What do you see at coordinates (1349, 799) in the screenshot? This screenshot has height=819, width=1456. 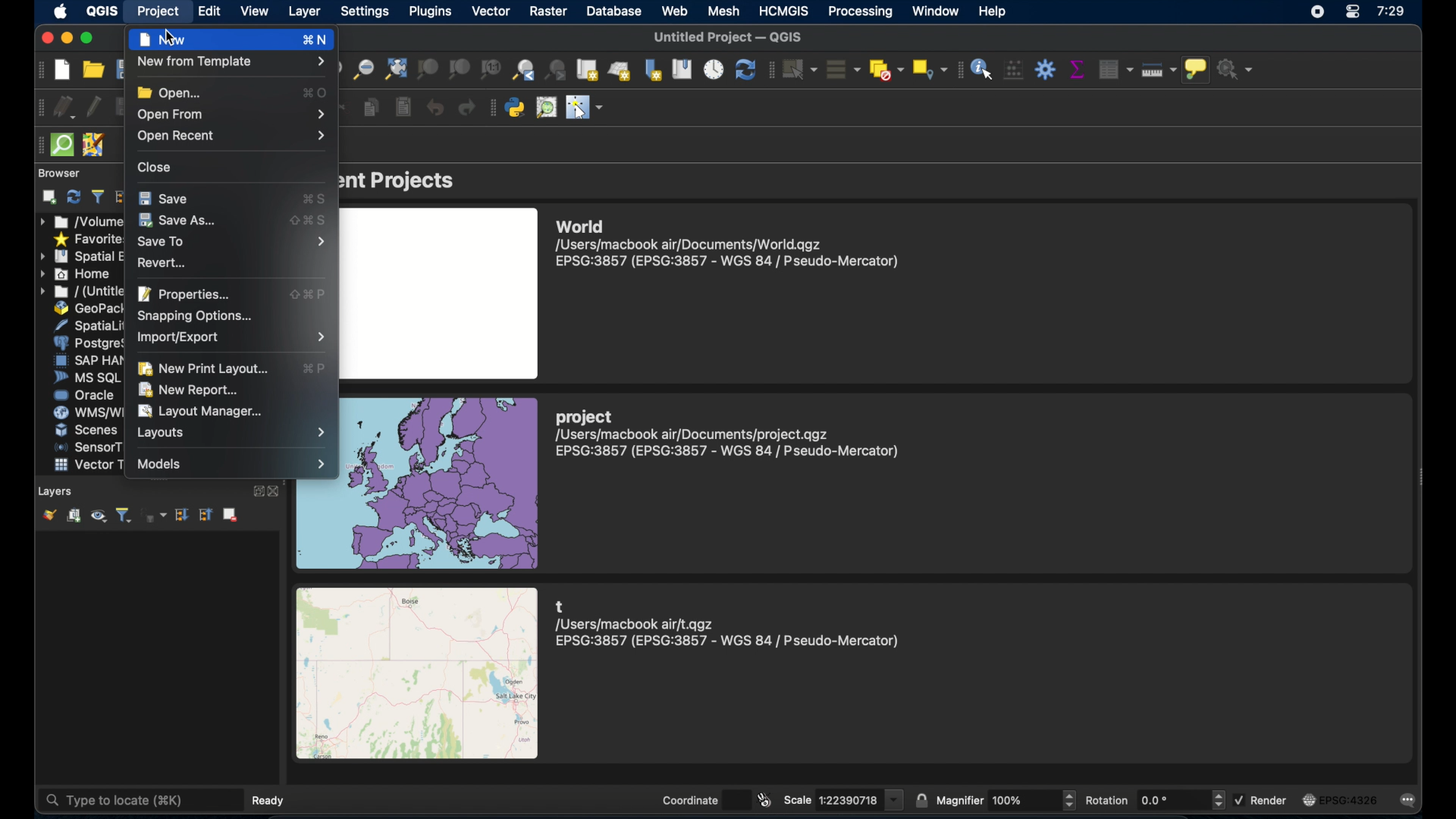 I see `EPSG:4326` at bounding box center [1349, 799].